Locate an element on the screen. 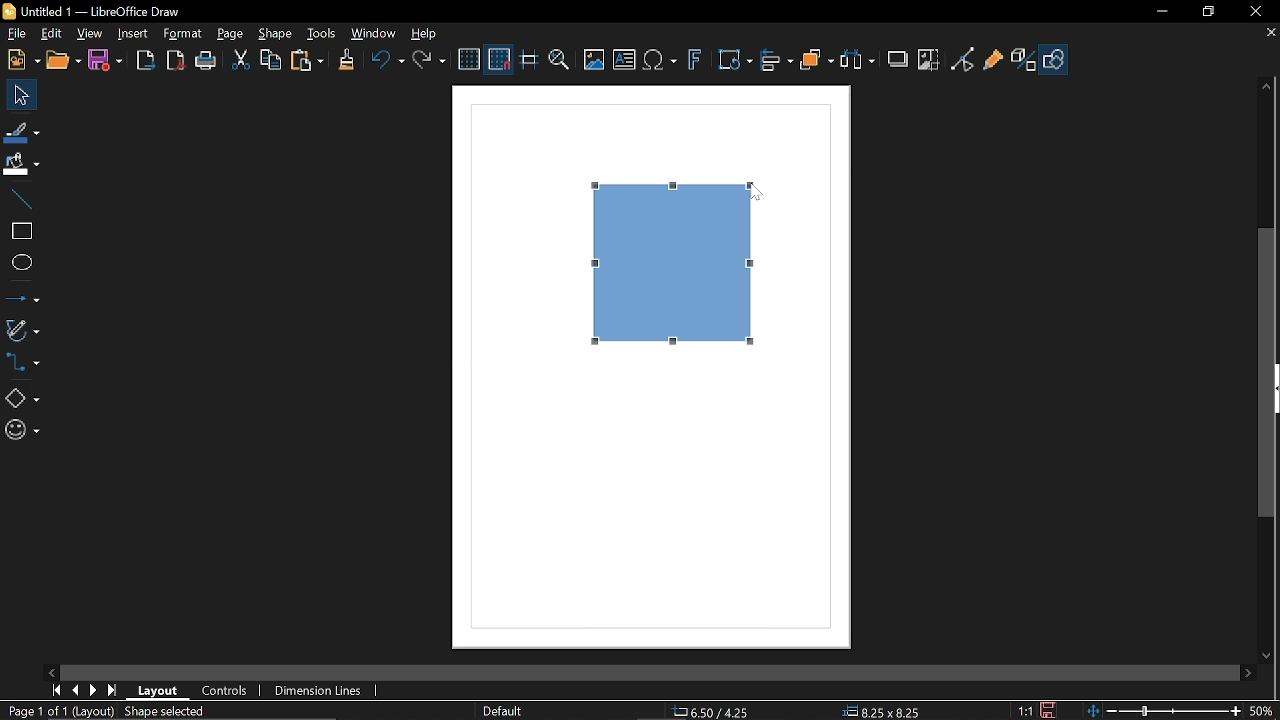 This screenshot has height=720, width=1280. Show draw functions is located at coordinates (1056, 59).